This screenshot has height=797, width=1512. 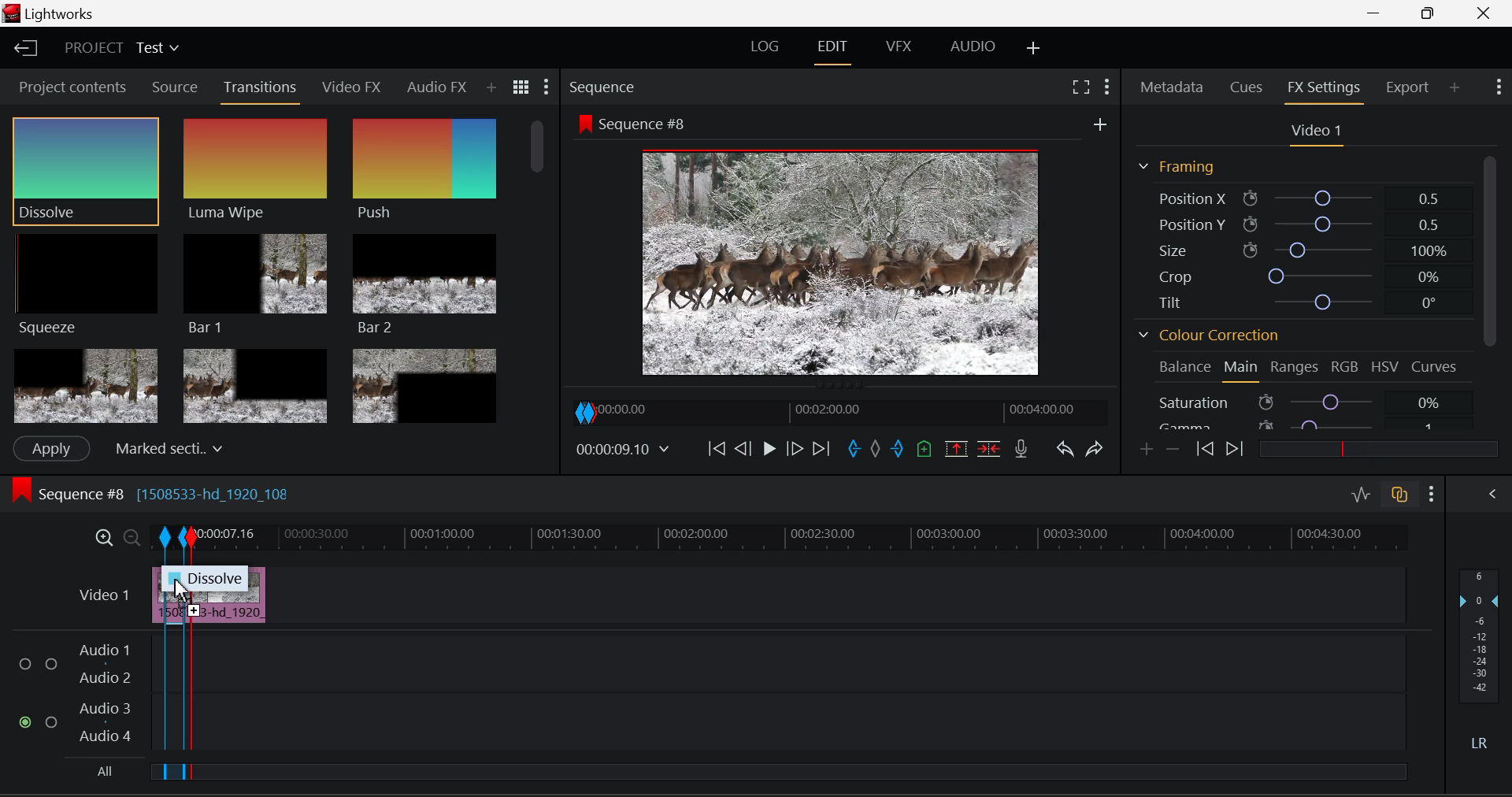 I want to click on Minimize, so click(x=1431, y=14).